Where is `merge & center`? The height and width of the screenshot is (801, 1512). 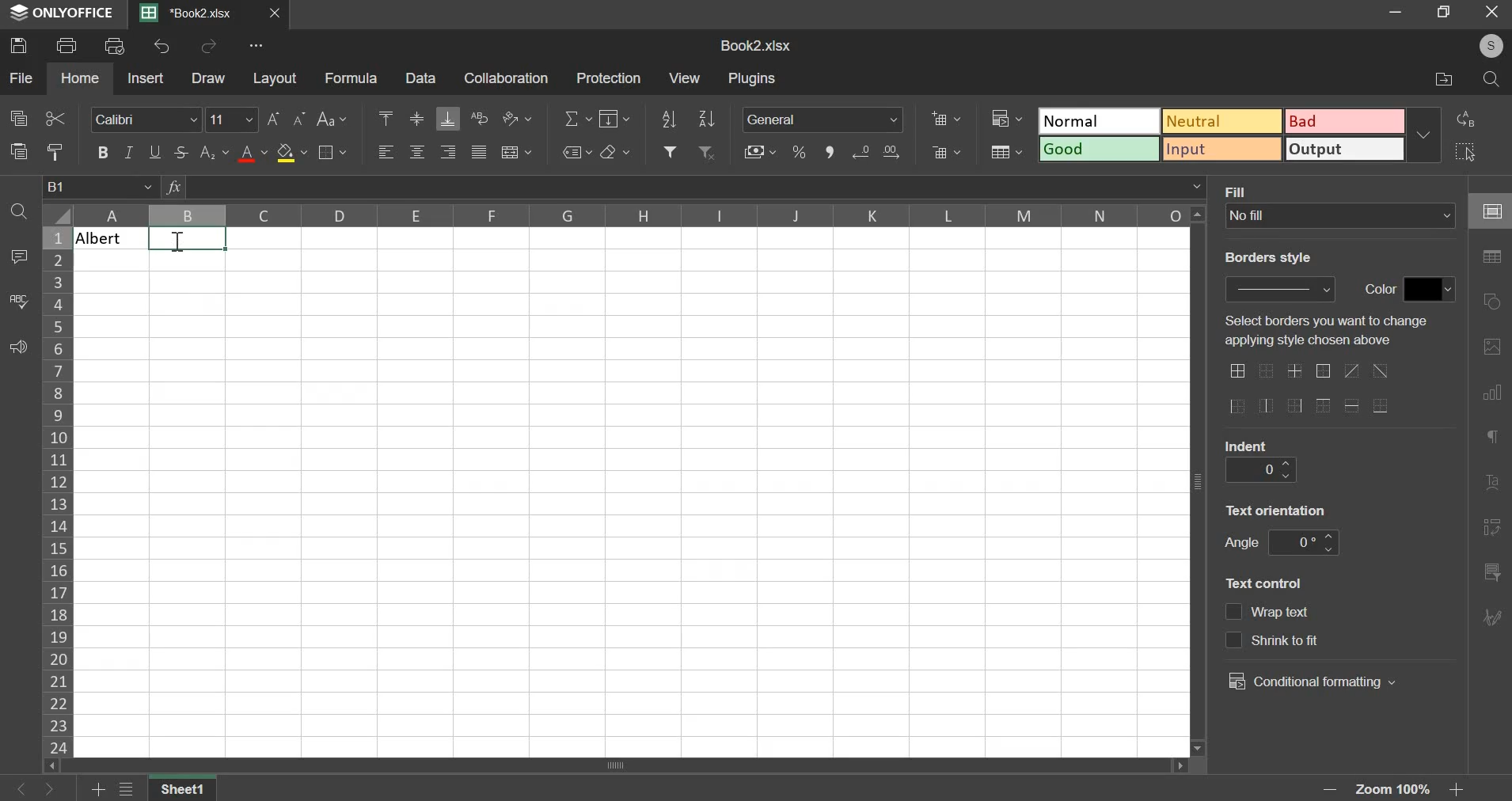
merge & center is located at coordinates (515, 152).